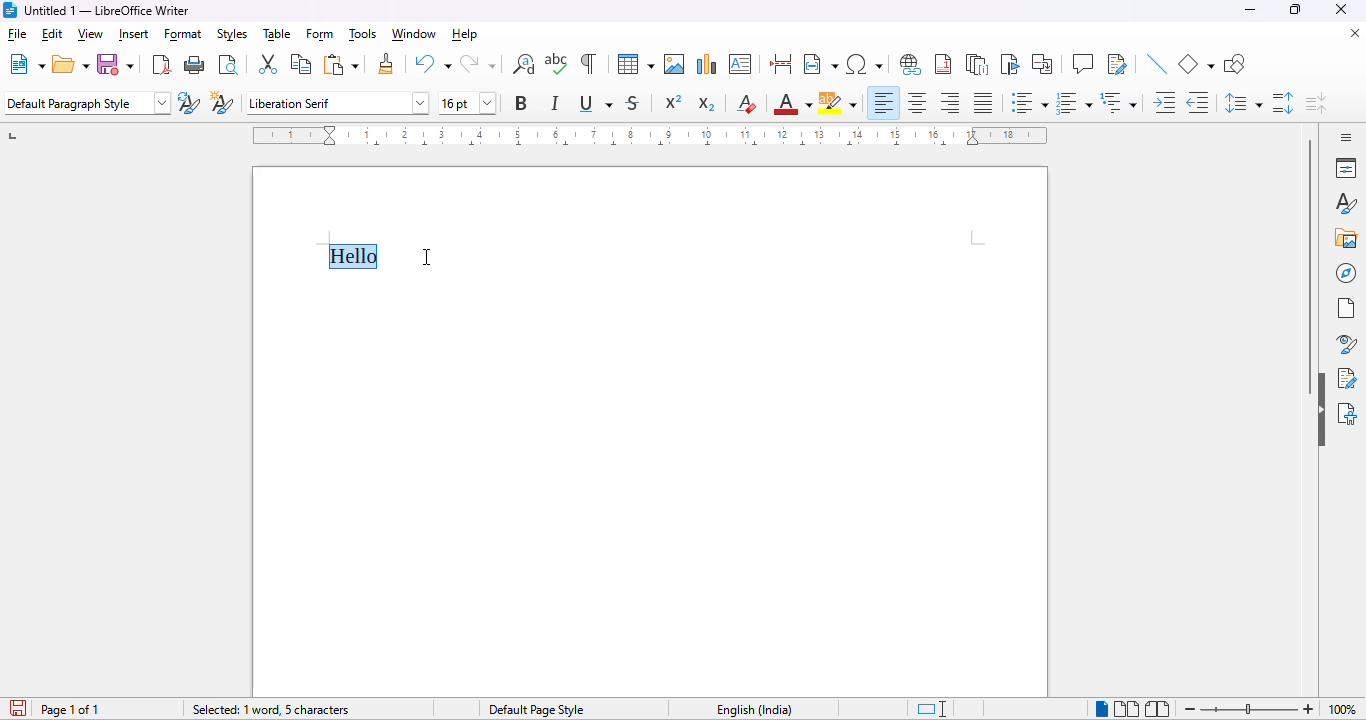 The image size is (1366, 720). What do you see at coordinates (1348, 414) in the screenshot?
I see `accessibility check` at bounding box center [1348, 414].